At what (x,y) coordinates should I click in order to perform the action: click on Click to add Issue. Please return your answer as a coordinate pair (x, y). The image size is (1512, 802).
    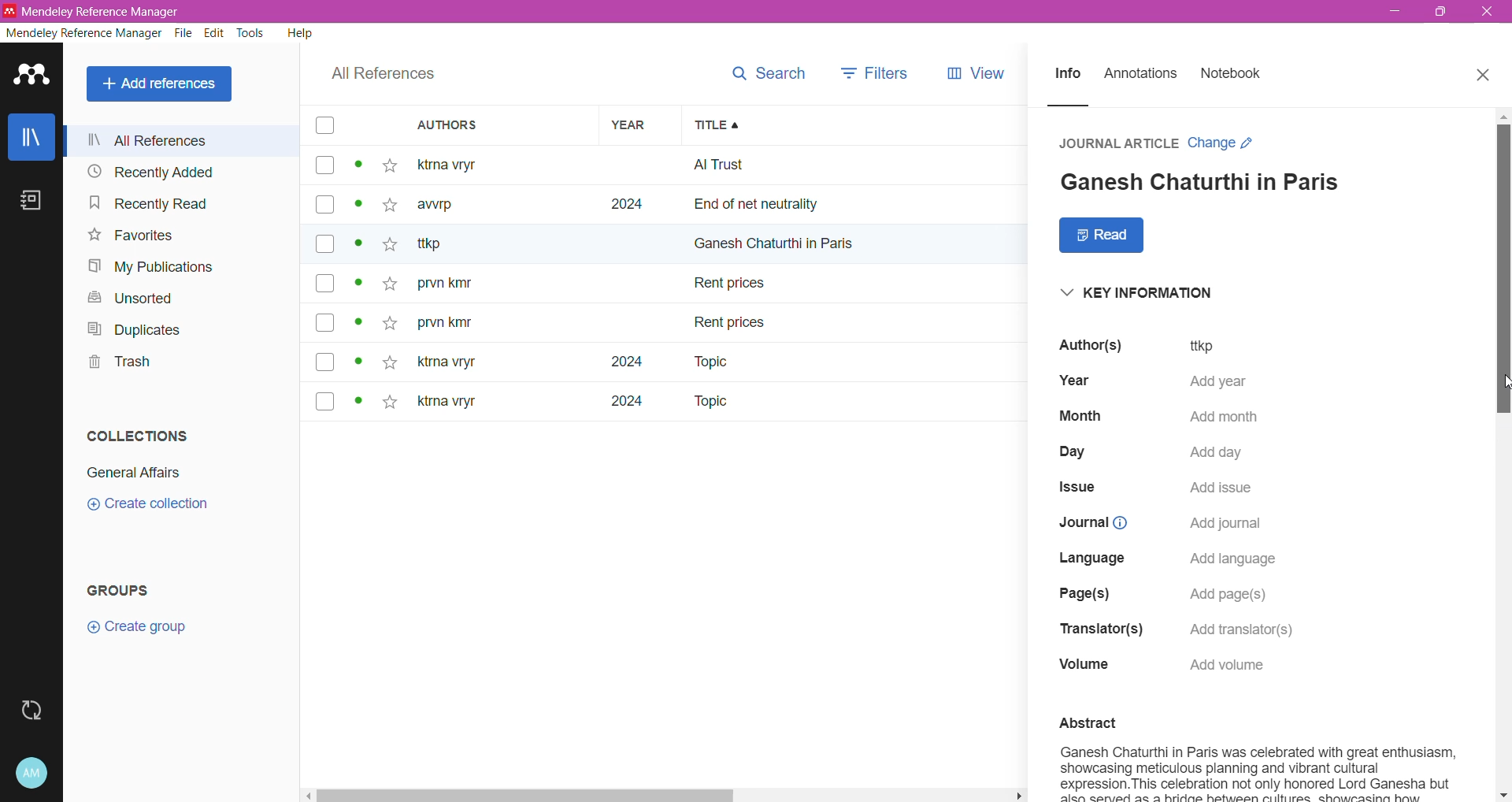
    Looking at the image, I should click on (1224, 491).